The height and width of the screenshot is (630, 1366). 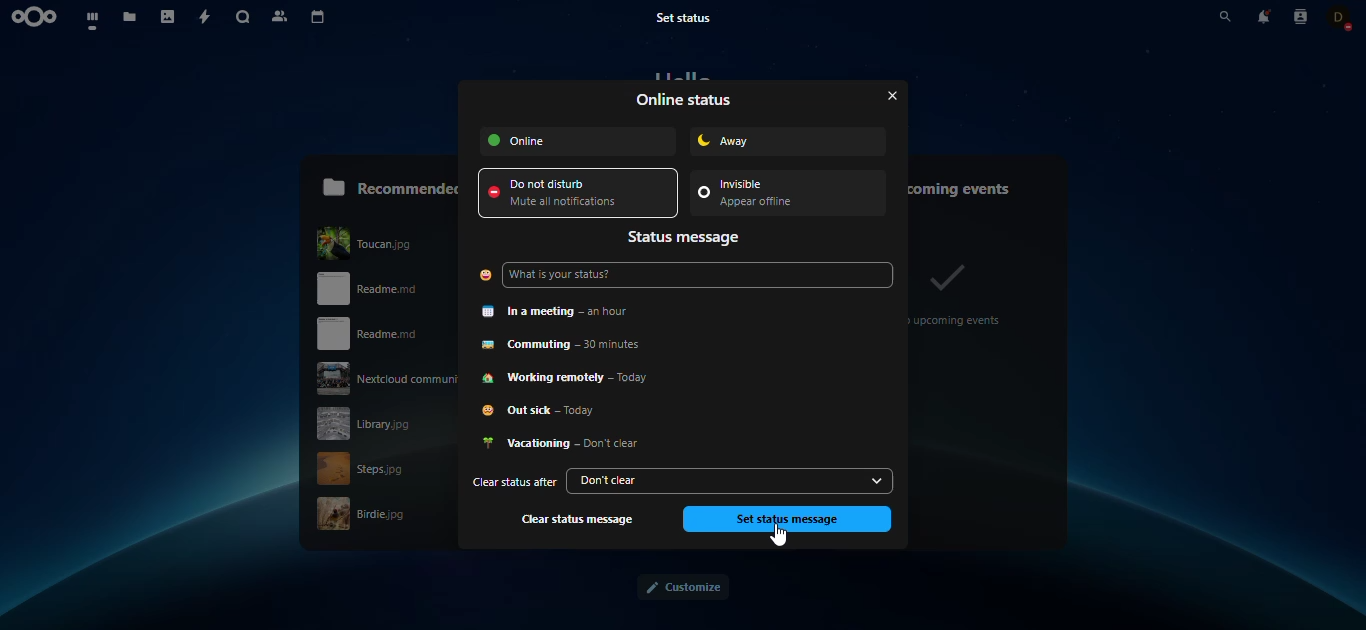 I want to click on customize, so click(x=682, y=588).